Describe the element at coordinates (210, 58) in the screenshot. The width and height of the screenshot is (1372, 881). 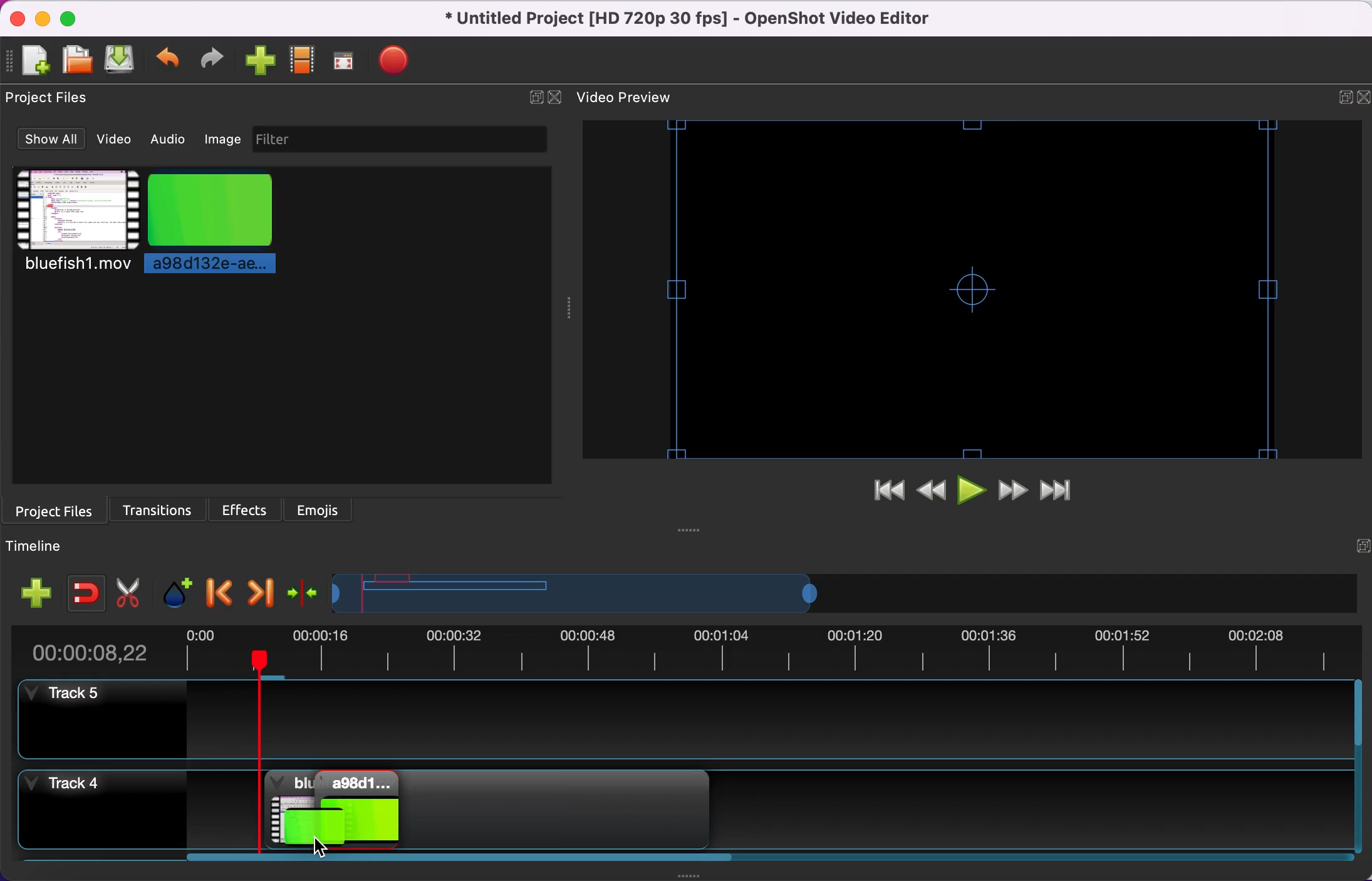
I see `redo` at that location.